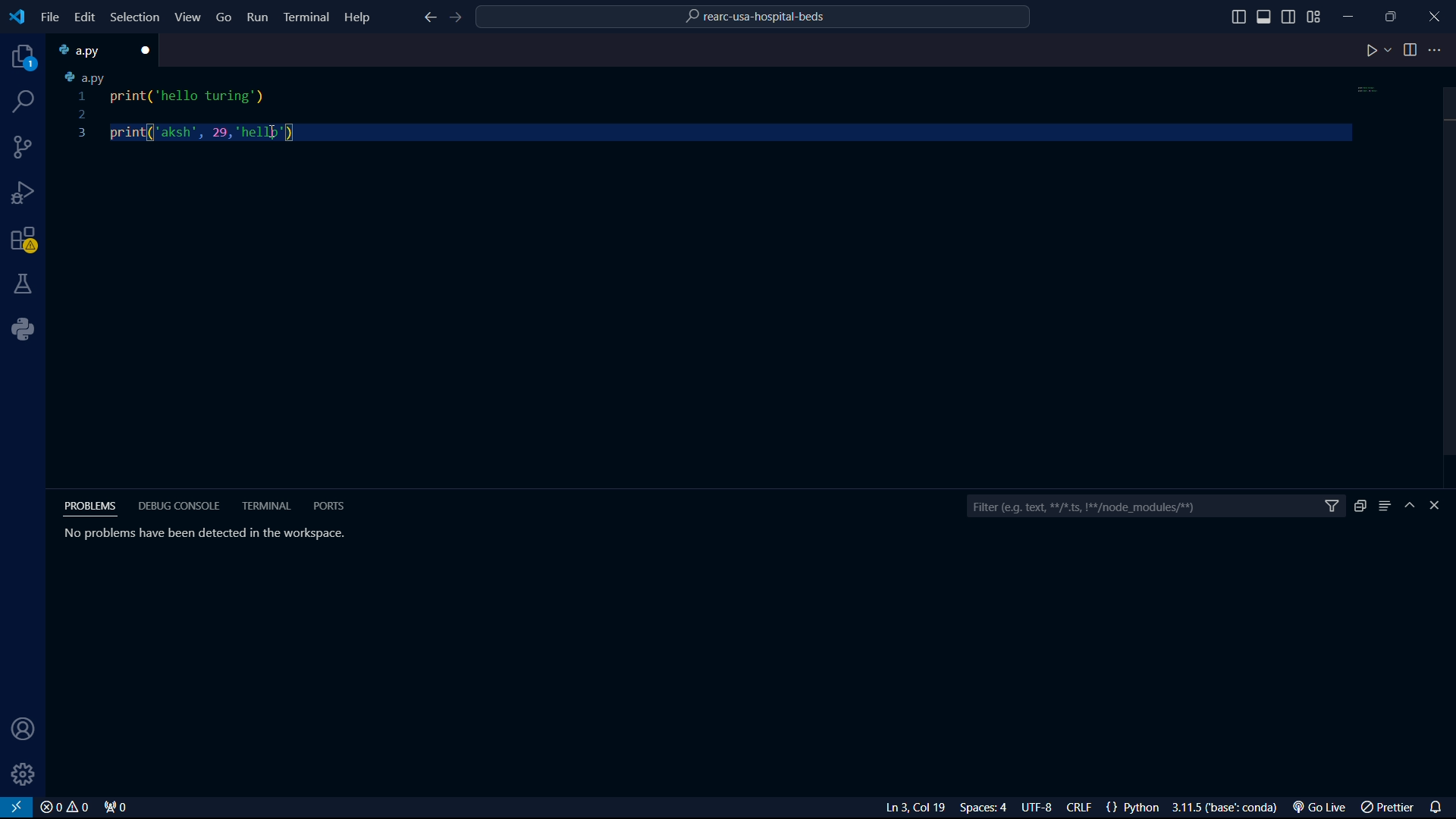  I want to click on UTF-8, so click(1043, 808).